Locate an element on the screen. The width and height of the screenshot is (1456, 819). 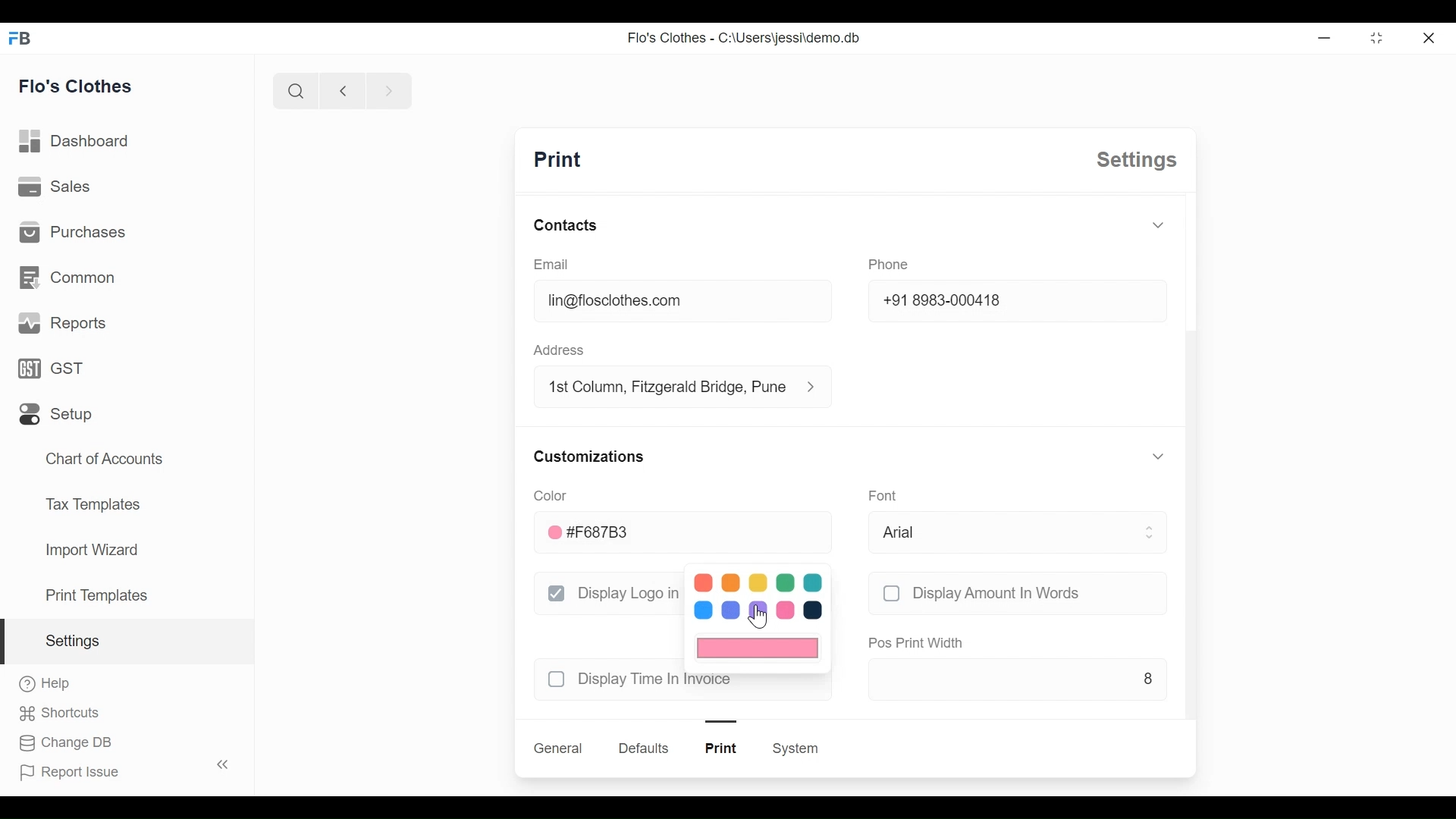
color 4 is located at coordinates (786, 582).